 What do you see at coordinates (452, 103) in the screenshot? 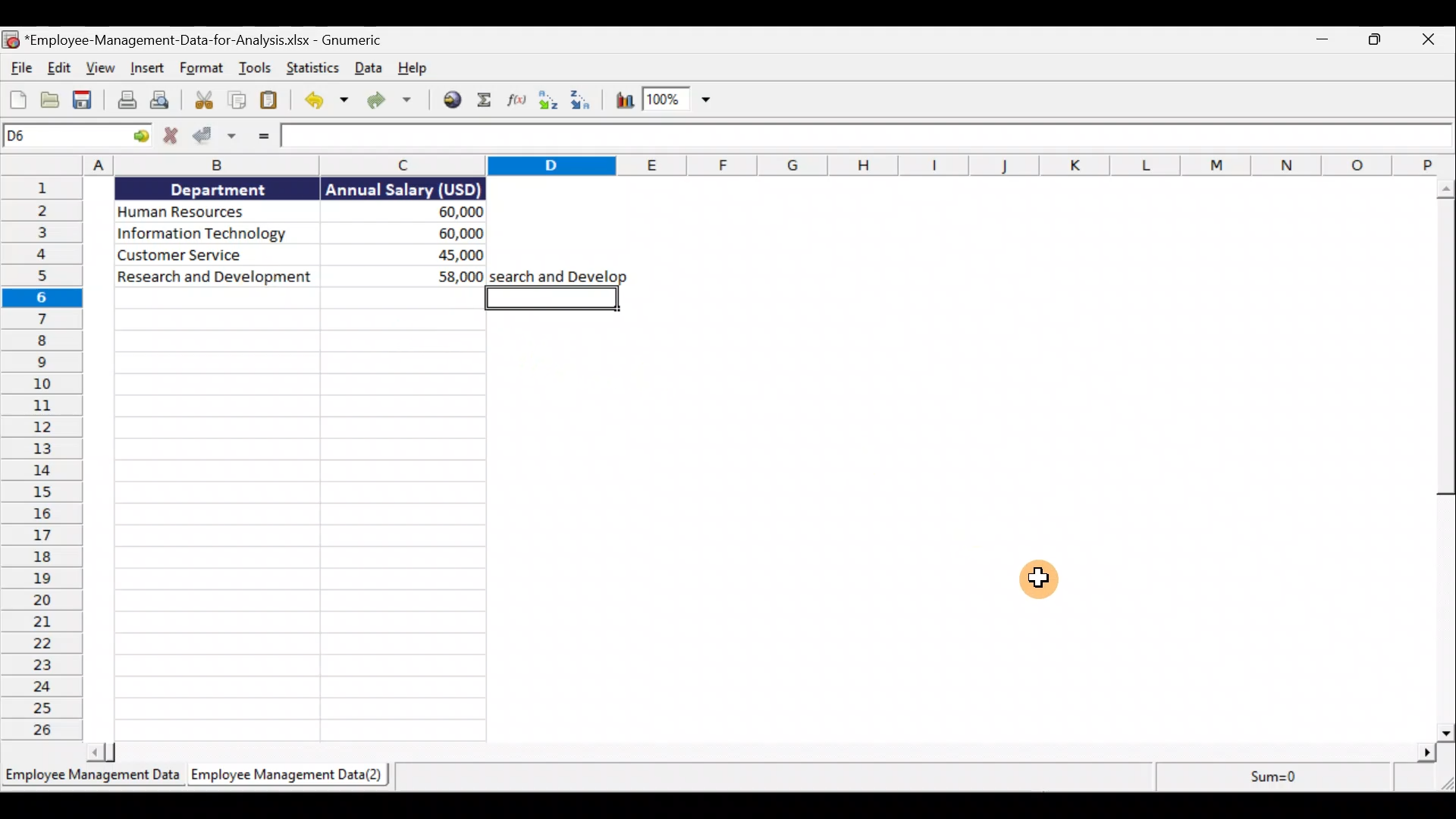
I see `Insert a hyperlink` at bounding box center [452, 103].